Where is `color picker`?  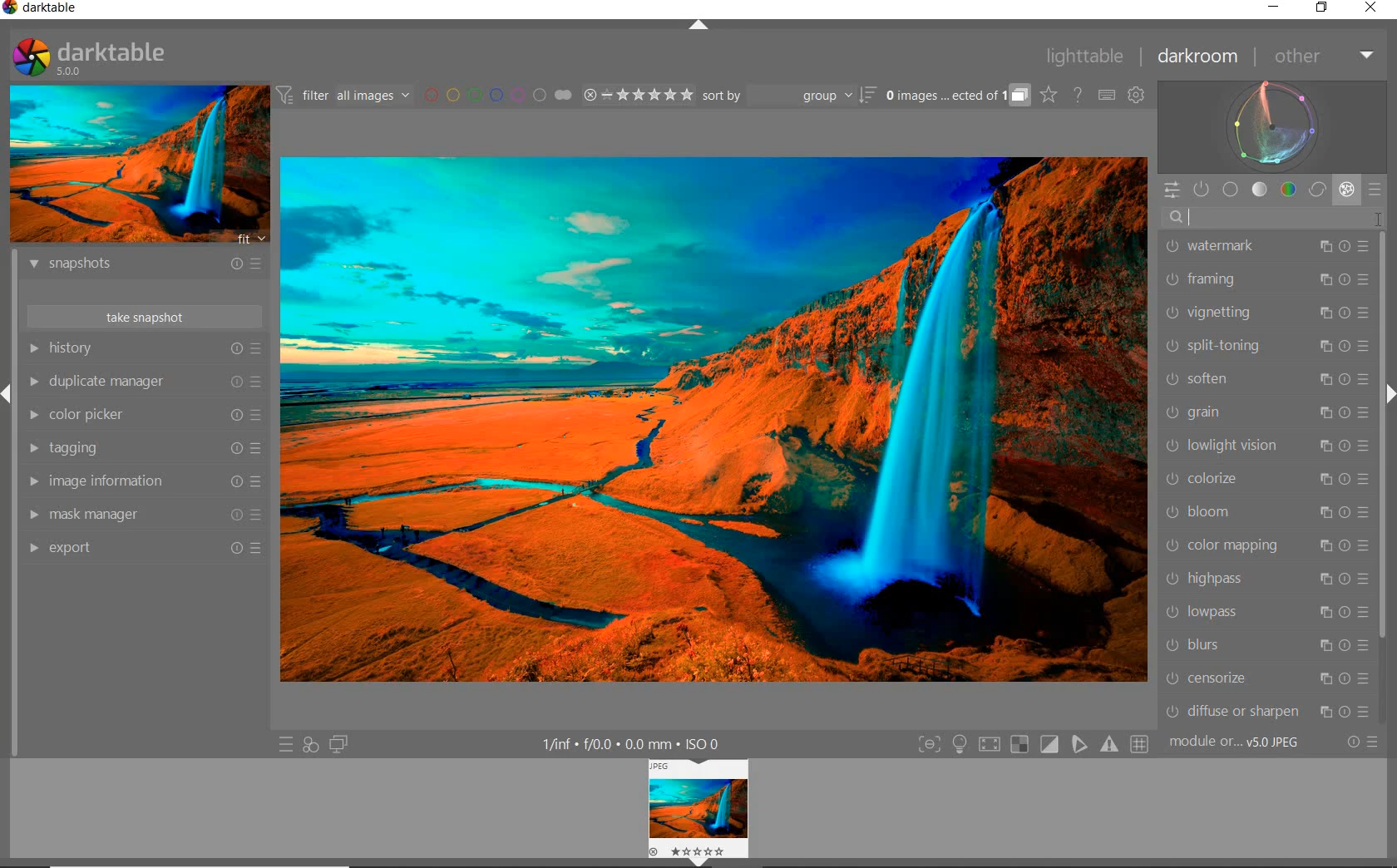 color picker is located at coordinates (143, 415).